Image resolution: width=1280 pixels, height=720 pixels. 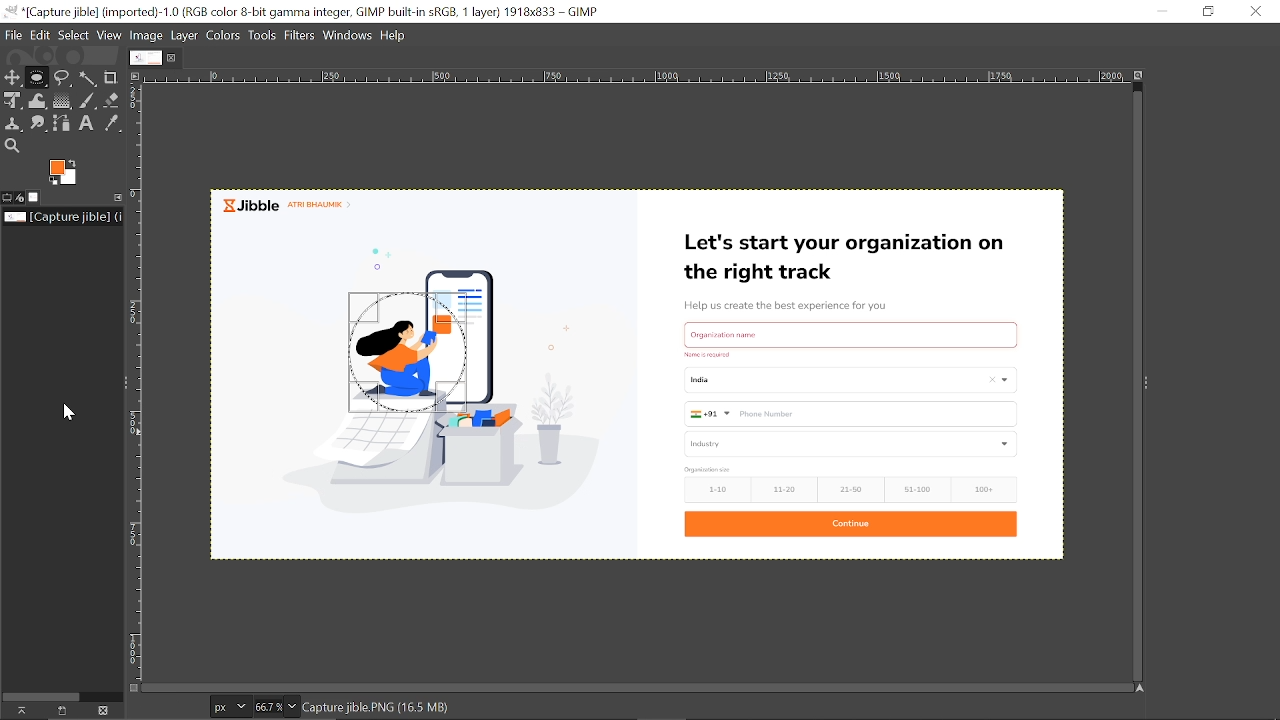 I want to click on Configure this tab, so click(x=119, y=196).